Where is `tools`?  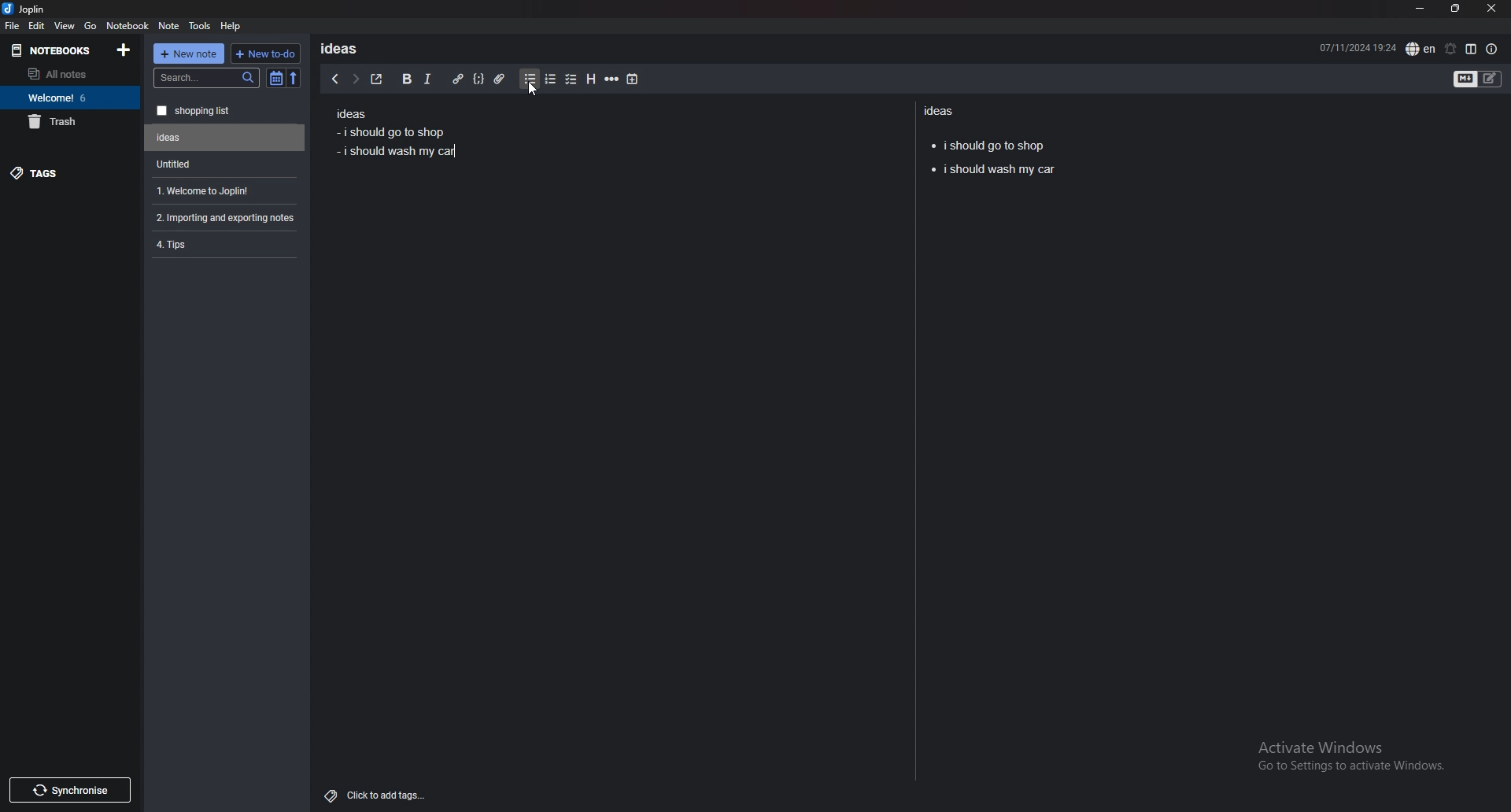
tools is located at coordinates (201, 26).